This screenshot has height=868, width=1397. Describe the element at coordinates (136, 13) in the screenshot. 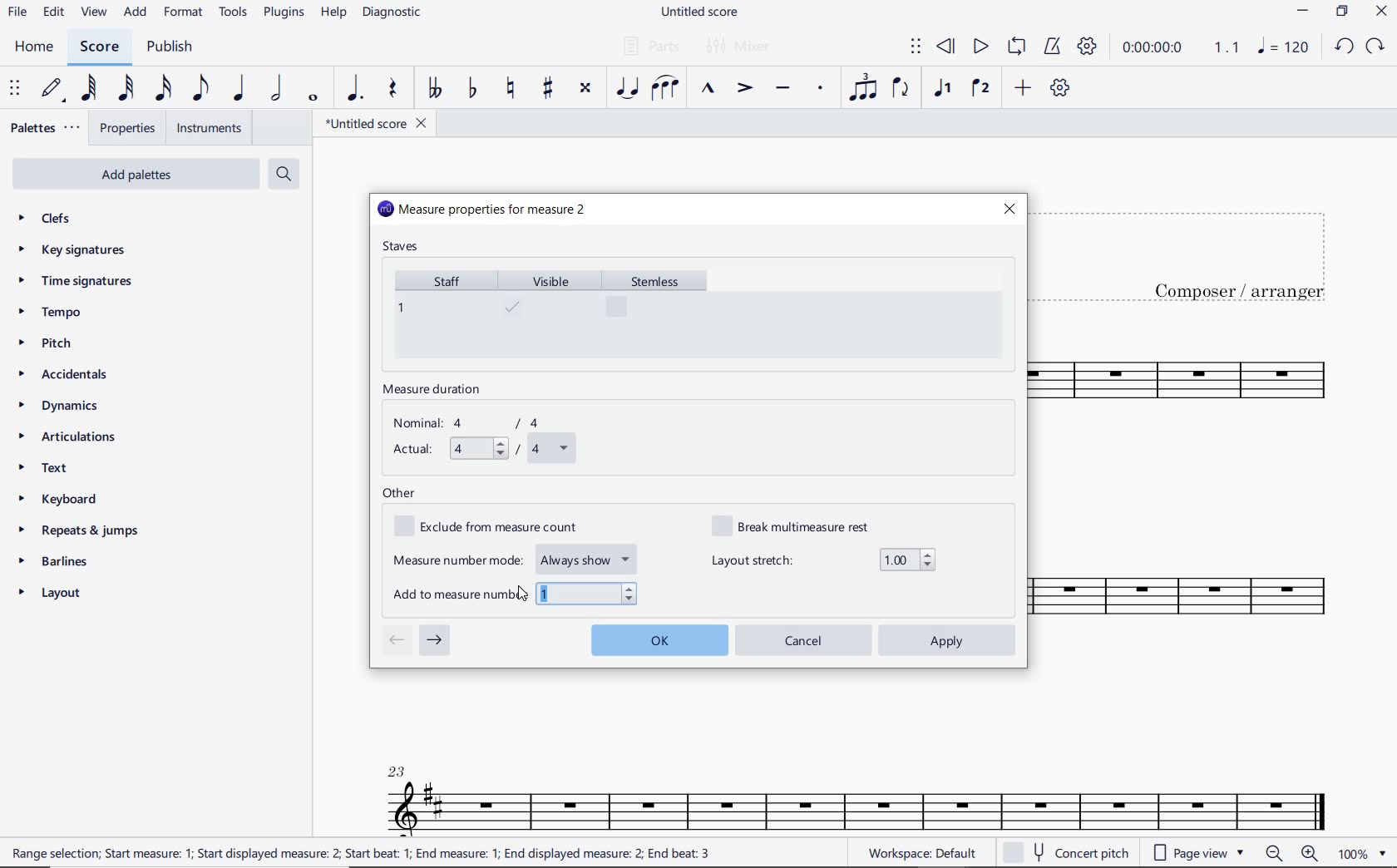

I see `ADD` at that location.